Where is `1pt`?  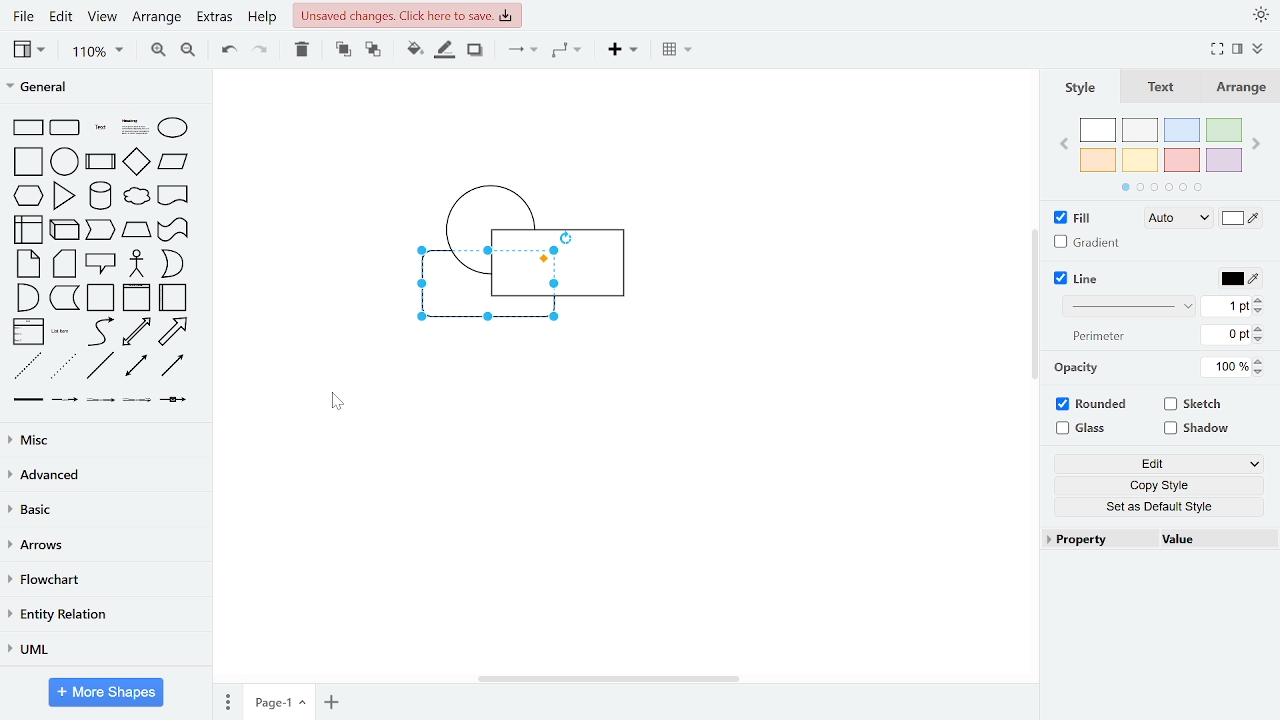
1pt is located at coordinates (1226, 306).